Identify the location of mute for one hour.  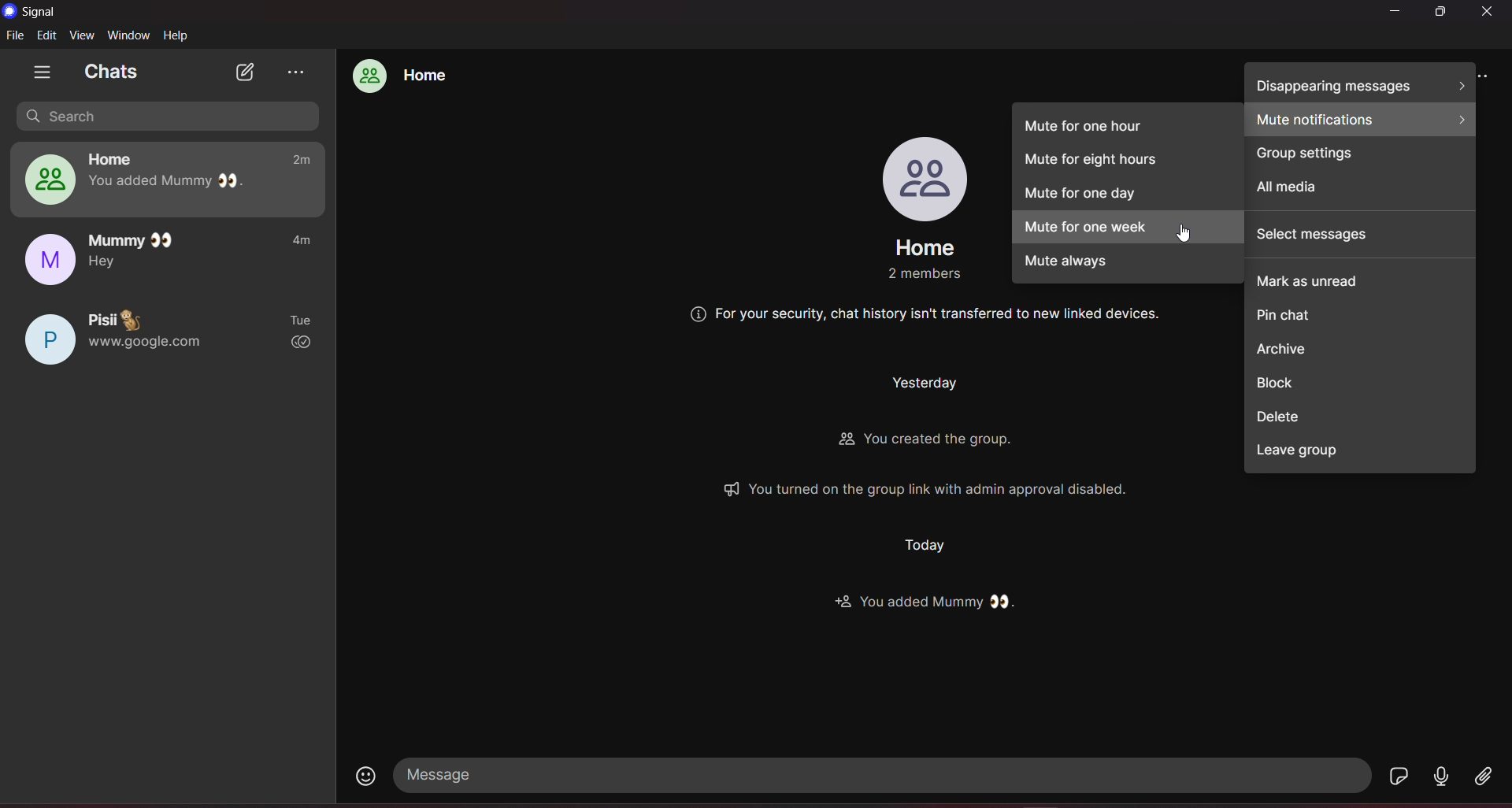
(1127, 124).